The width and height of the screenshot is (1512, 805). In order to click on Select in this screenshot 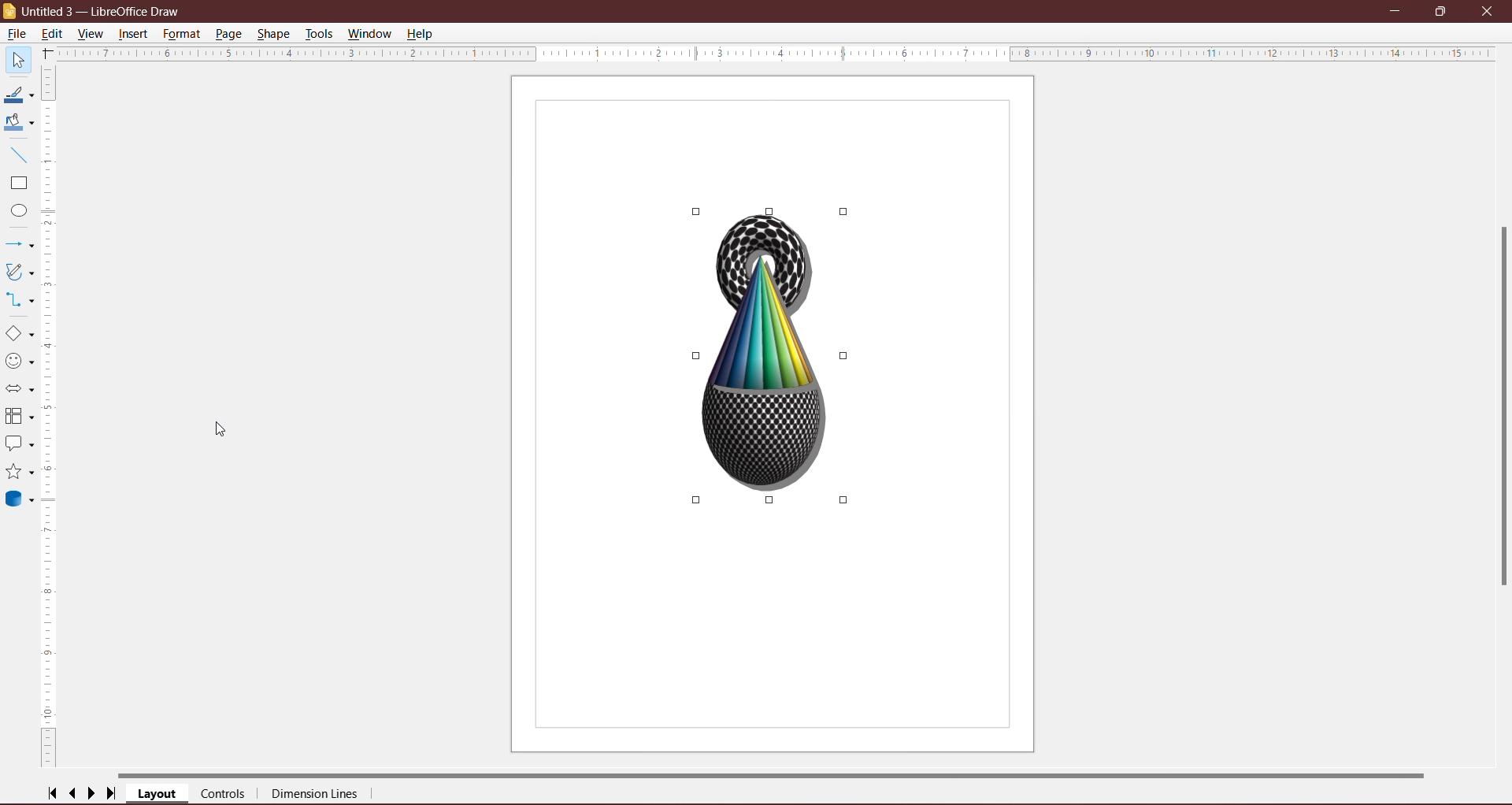, I will do `click(17, 59)`.